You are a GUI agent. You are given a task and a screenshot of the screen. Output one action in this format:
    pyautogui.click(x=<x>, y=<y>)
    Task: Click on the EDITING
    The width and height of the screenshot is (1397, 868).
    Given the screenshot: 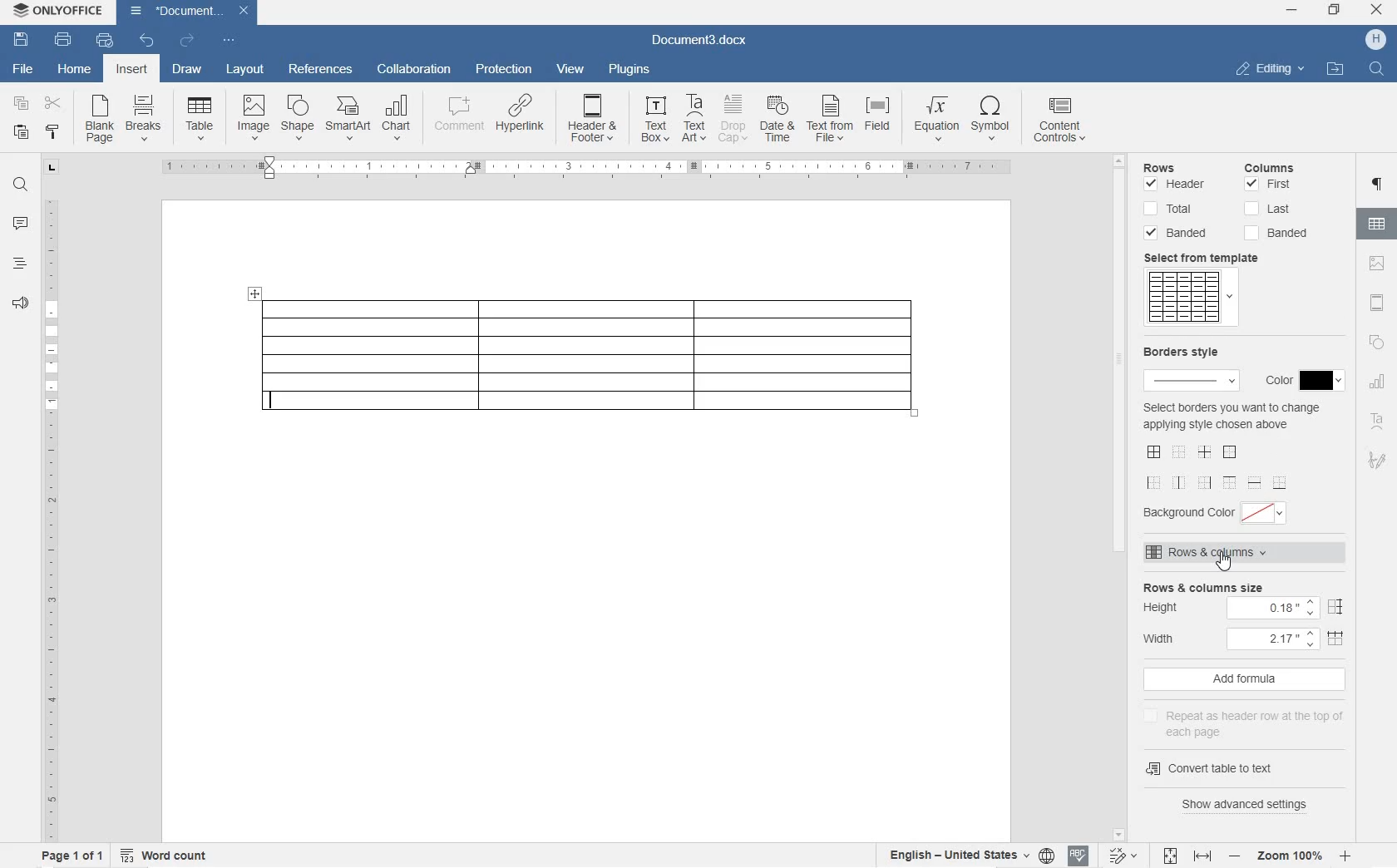 What is the action you would take?
    pyautogui.click(x=1271, y=70)
    